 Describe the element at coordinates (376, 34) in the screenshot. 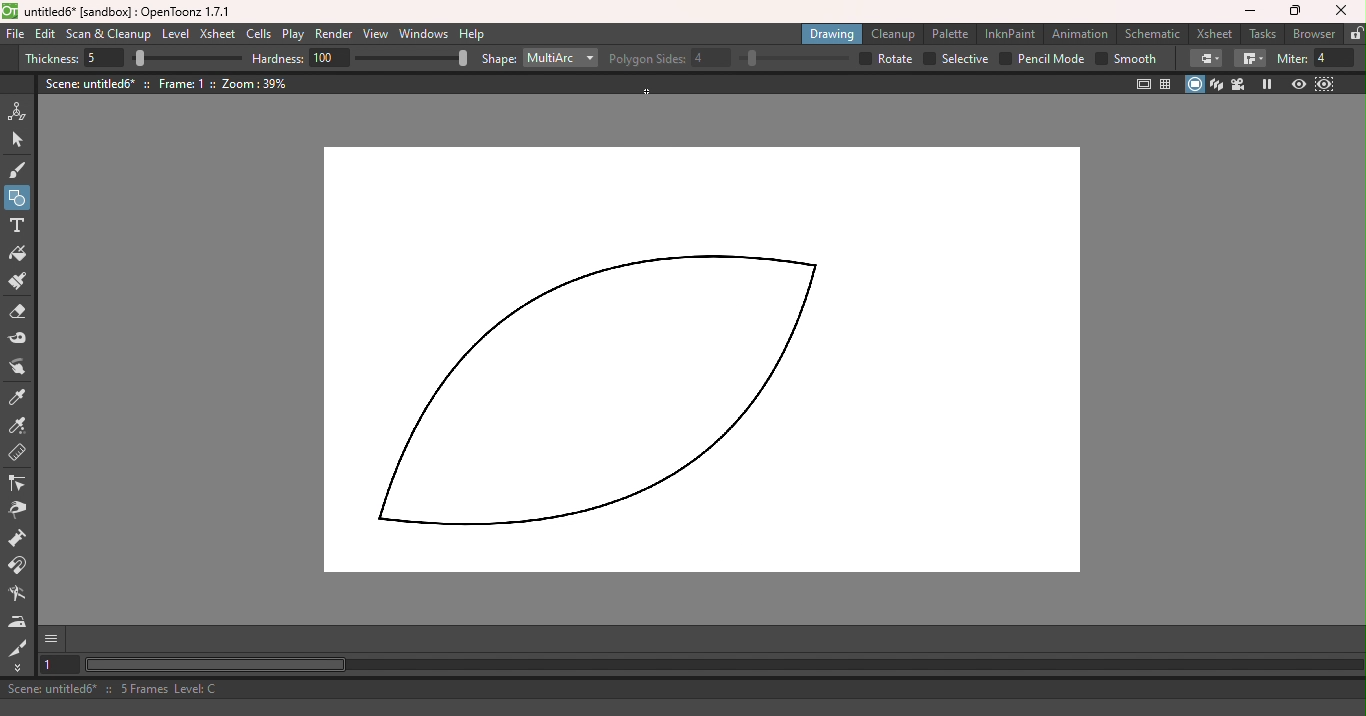

I see `View` at that location.